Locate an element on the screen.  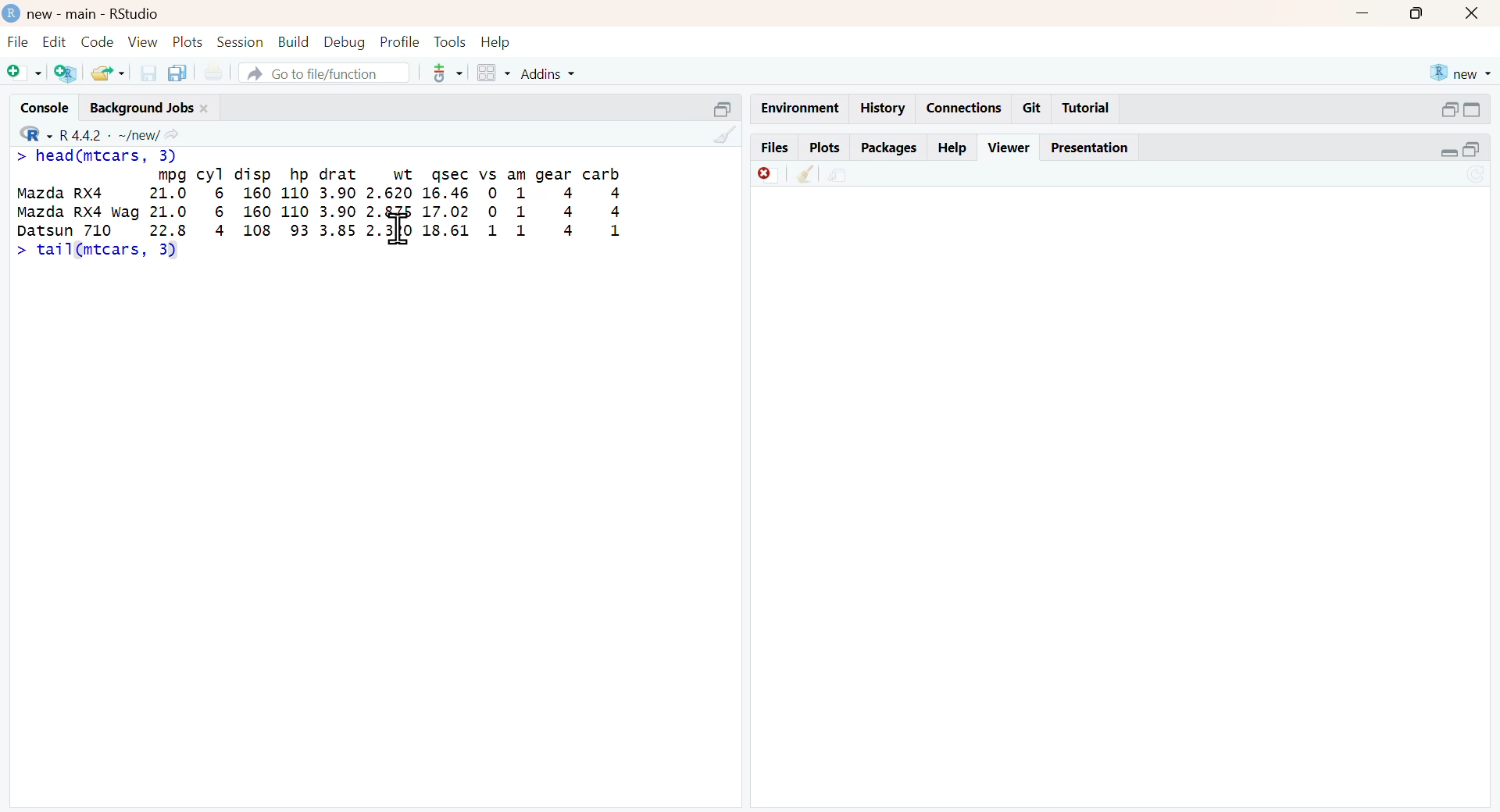
minimize is located at coordinates (1365, 13).